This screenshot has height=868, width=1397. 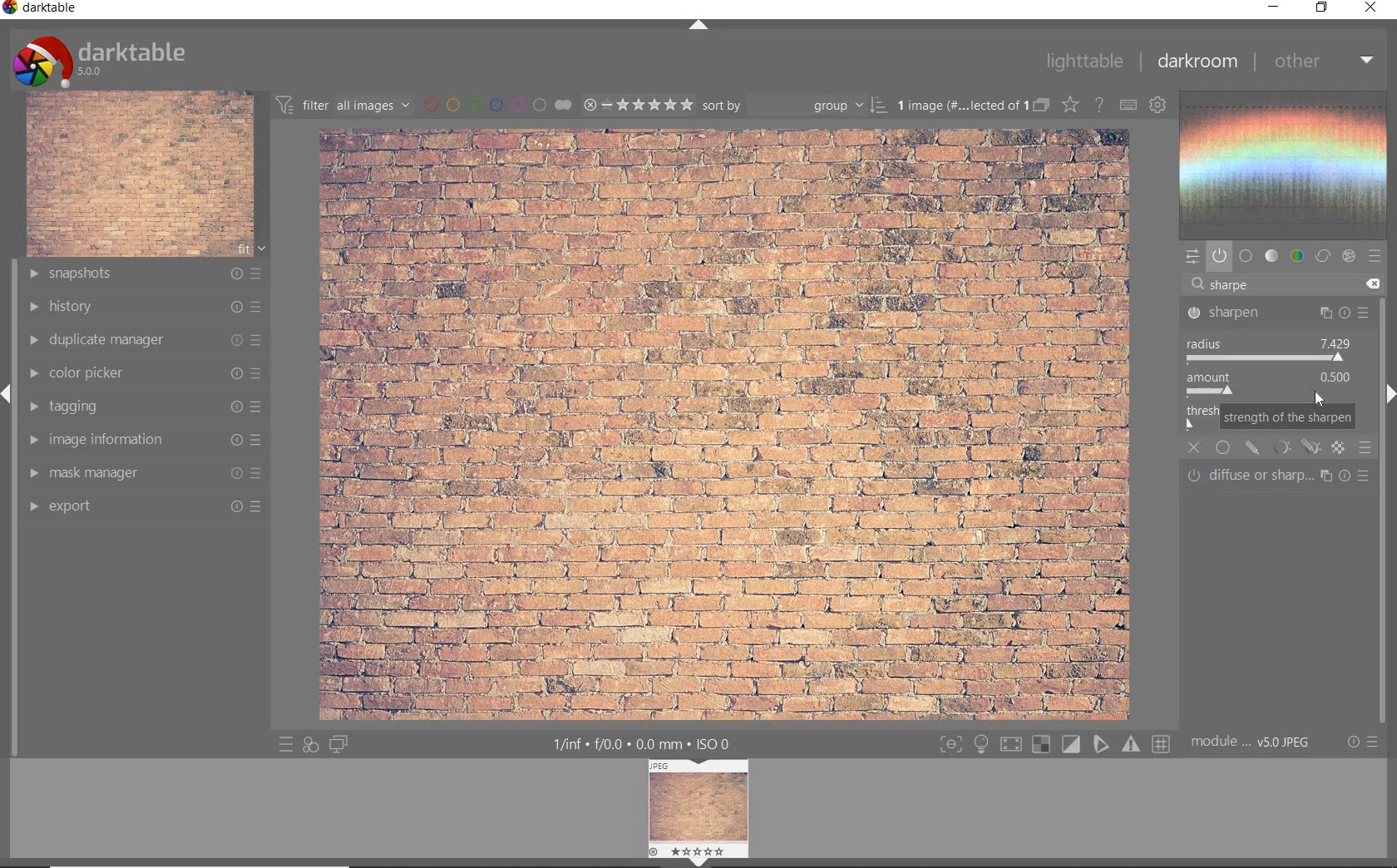 I want to click on wave form, so click(x=1288, y=165).